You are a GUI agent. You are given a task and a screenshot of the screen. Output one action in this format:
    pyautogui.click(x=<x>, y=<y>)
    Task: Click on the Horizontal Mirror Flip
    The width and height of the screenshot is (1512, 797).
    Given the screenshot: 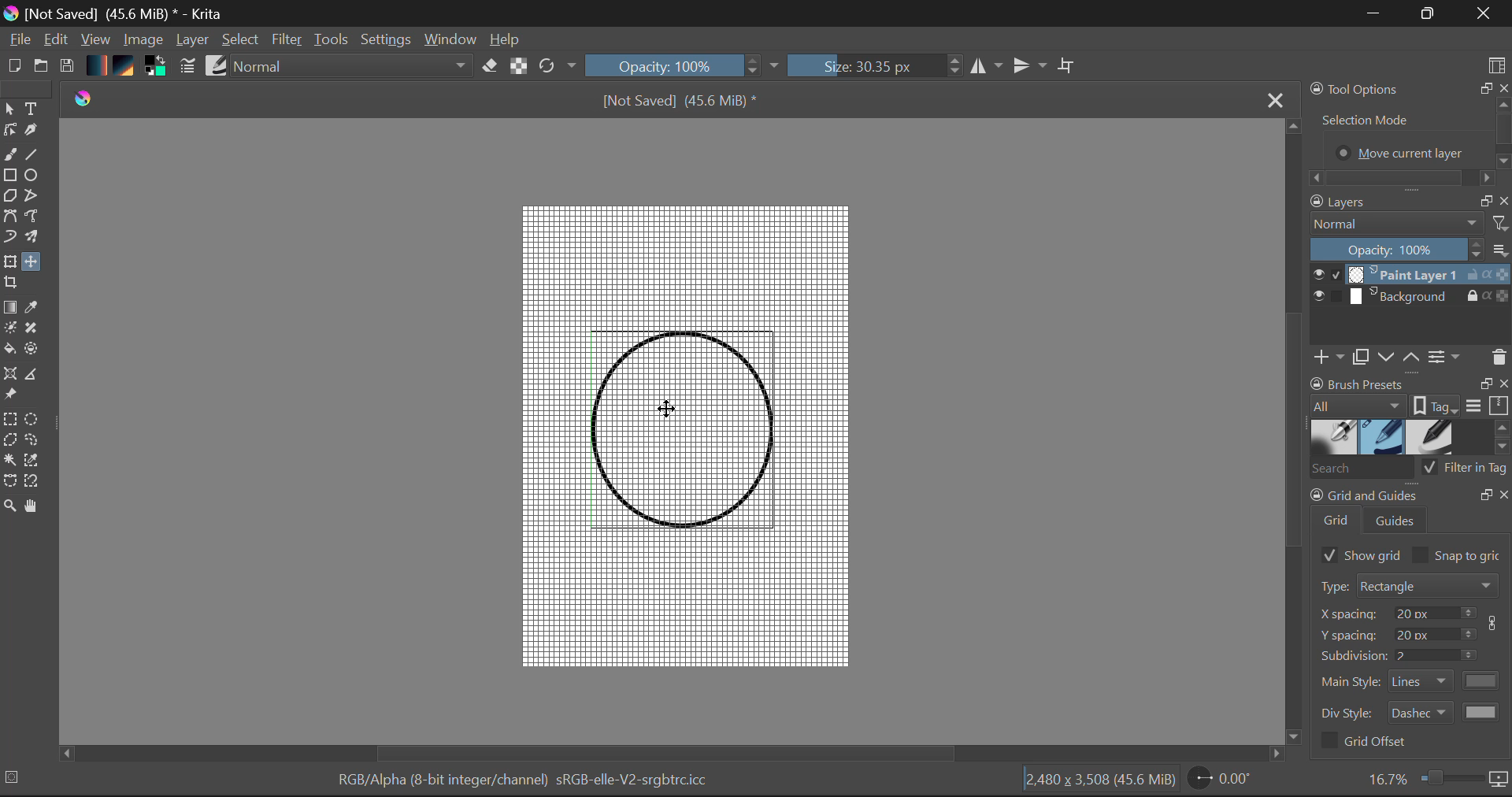 What is the action you would take?
    pyautogui.click(x=1032, y=65)
    